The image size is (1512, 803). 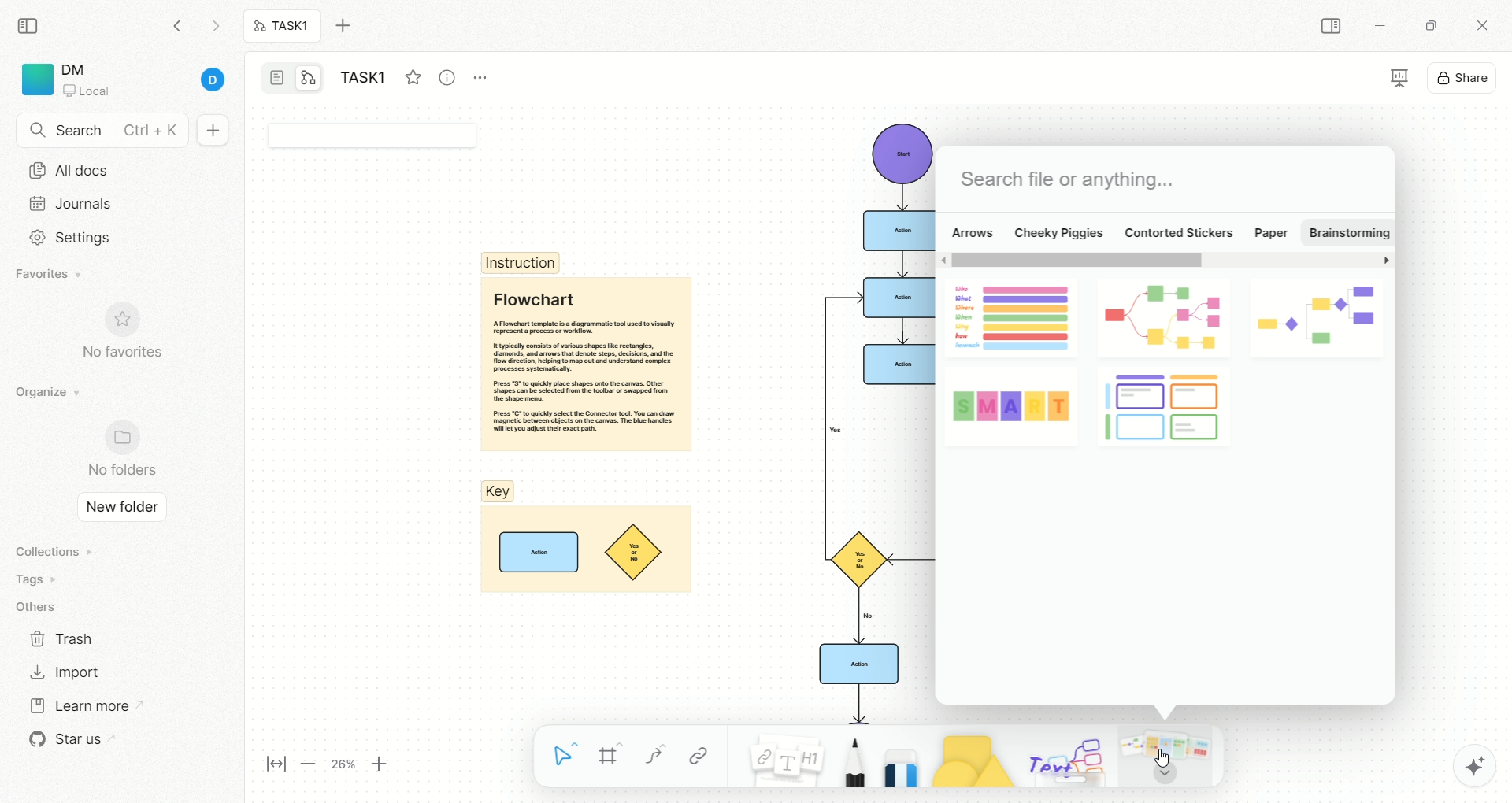 What do you see at coordinates (1378, 28) in the screenshot?
I see `minimize` at bounding box center [1378, 28].